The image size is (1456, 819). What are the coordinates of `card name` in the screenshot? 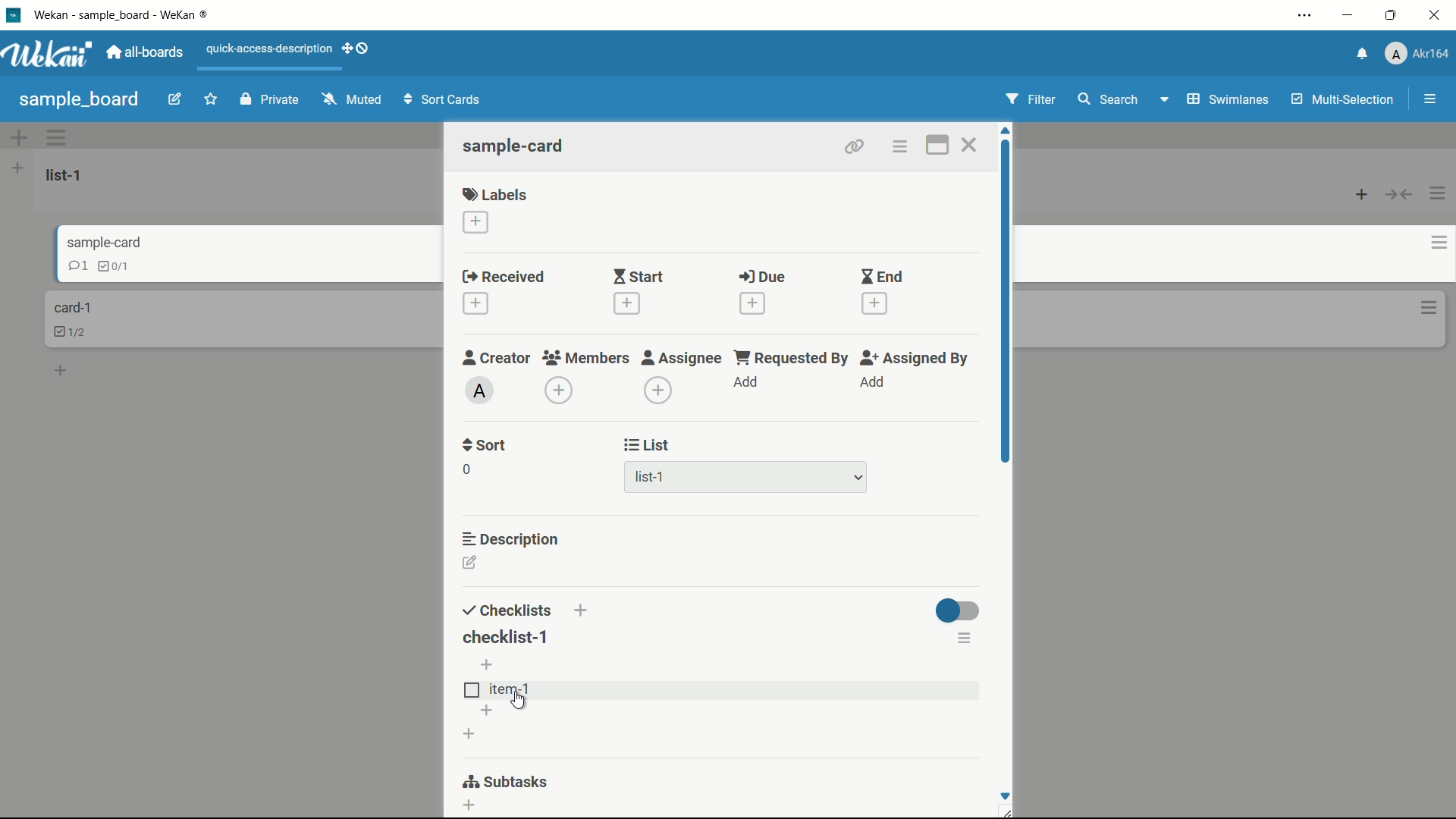 It's located at (72, 307).